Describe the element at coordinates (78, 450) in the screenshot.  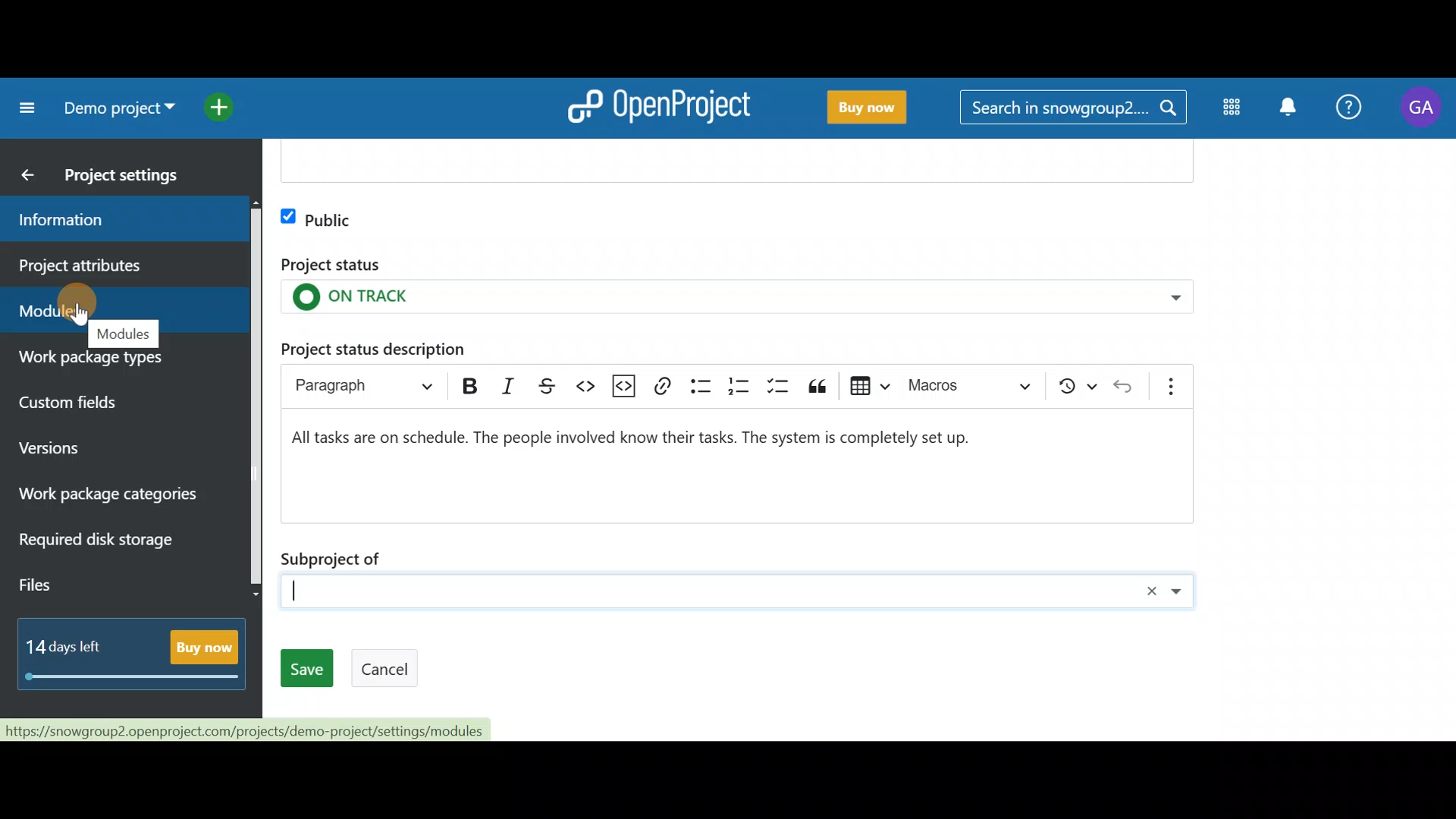
I see `Versions` at that location.